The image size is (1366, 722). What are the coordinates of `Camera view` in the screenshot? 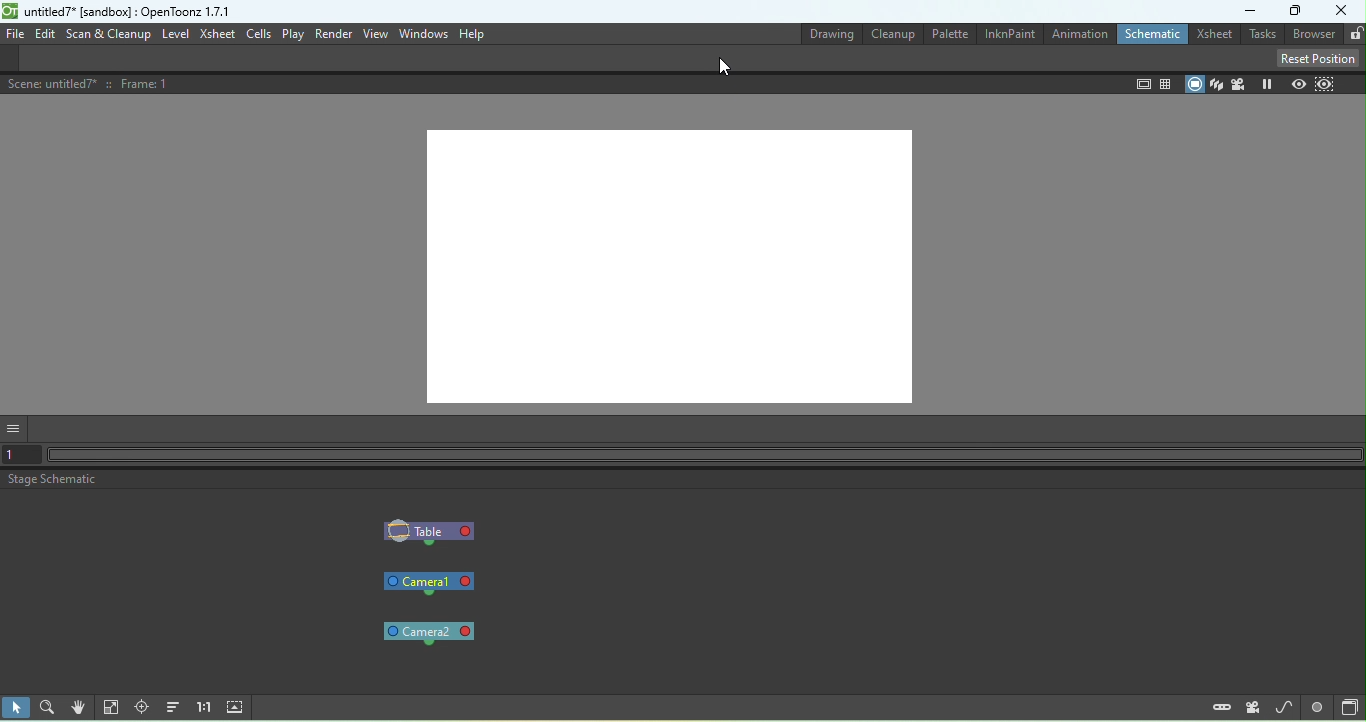 It's located at (1239, 84).